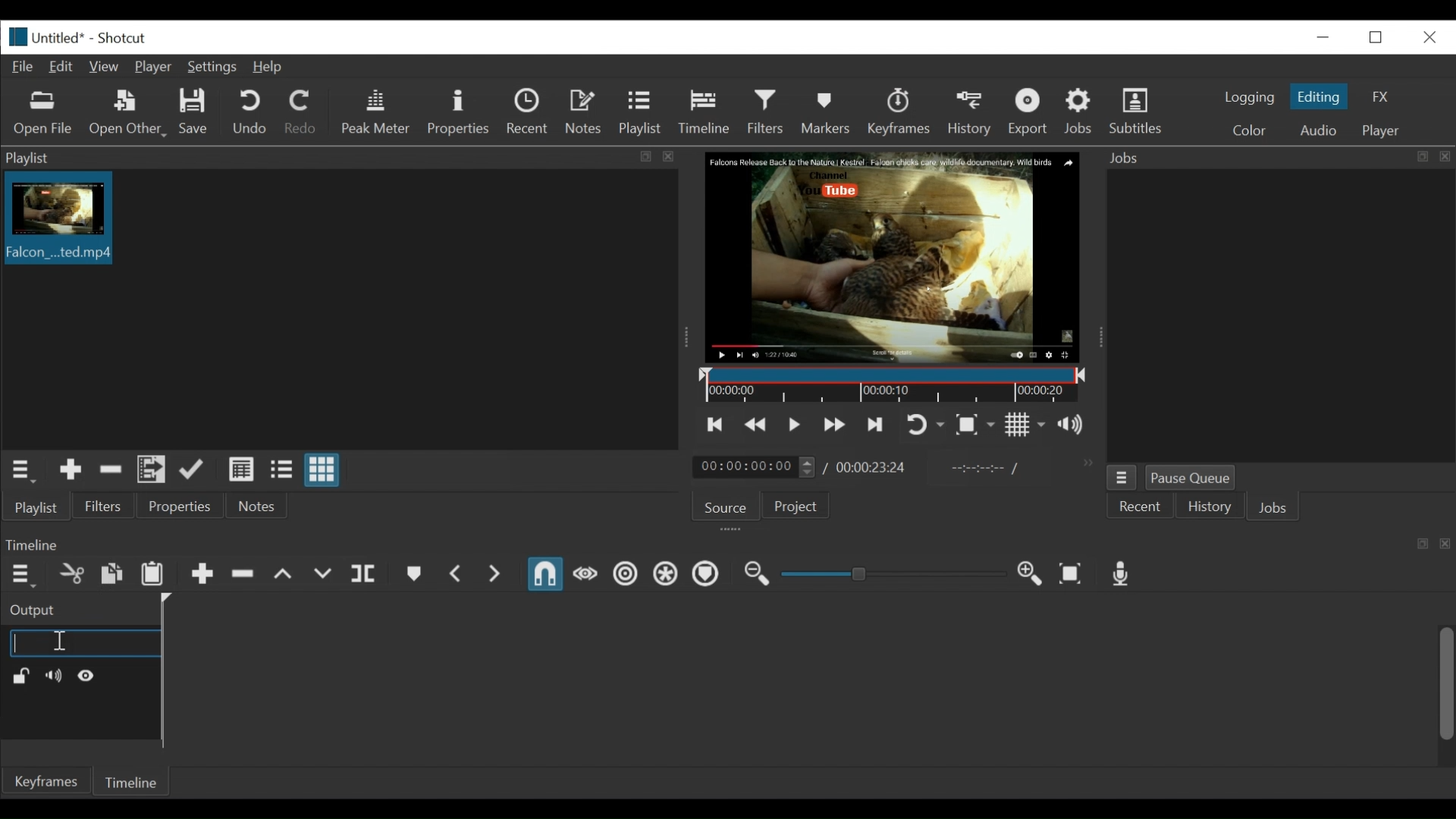 This screenshot has height=819, width=1456. What do you see at coordinates (706, 575) in the screenshot?
I see `Ripple Markers` at bounding box center [706, 575].